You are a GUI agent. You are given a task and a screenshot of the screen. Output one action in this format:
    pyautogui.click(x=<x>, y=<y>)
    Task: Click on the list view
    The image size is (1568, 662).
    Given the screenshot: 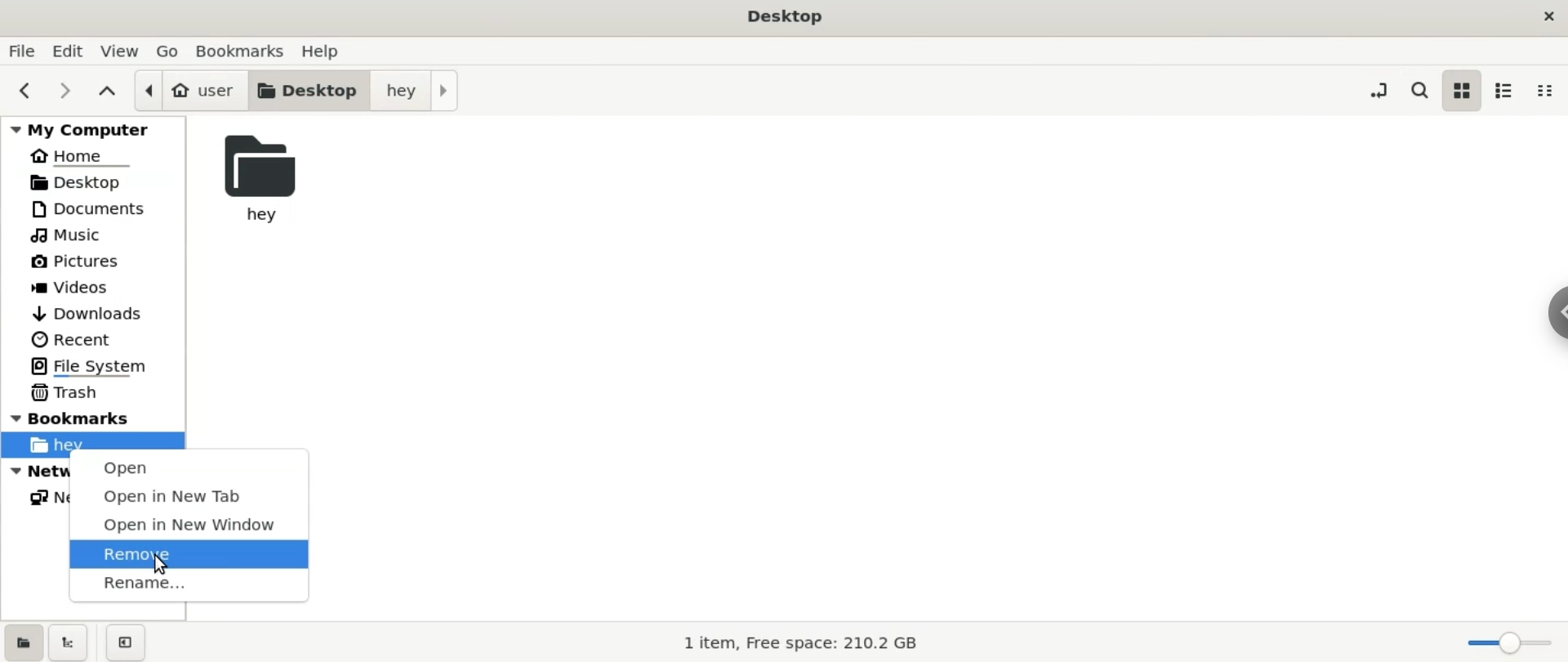 What is the action you would take?
    pyautogui.click(x=1510, y=92)
    